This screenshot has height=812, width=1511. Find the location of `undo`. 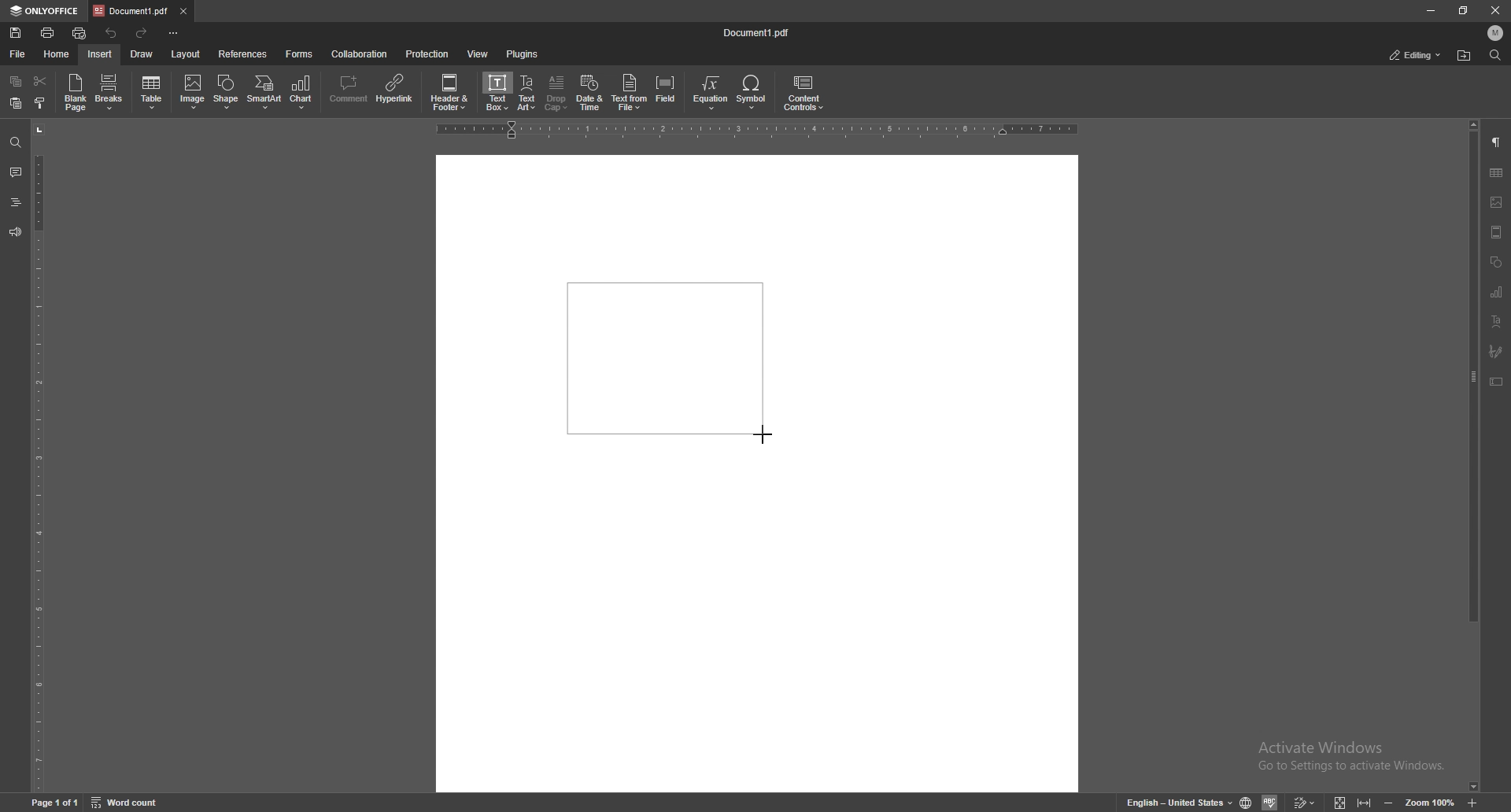

undo is located at coordinates (113, 33).